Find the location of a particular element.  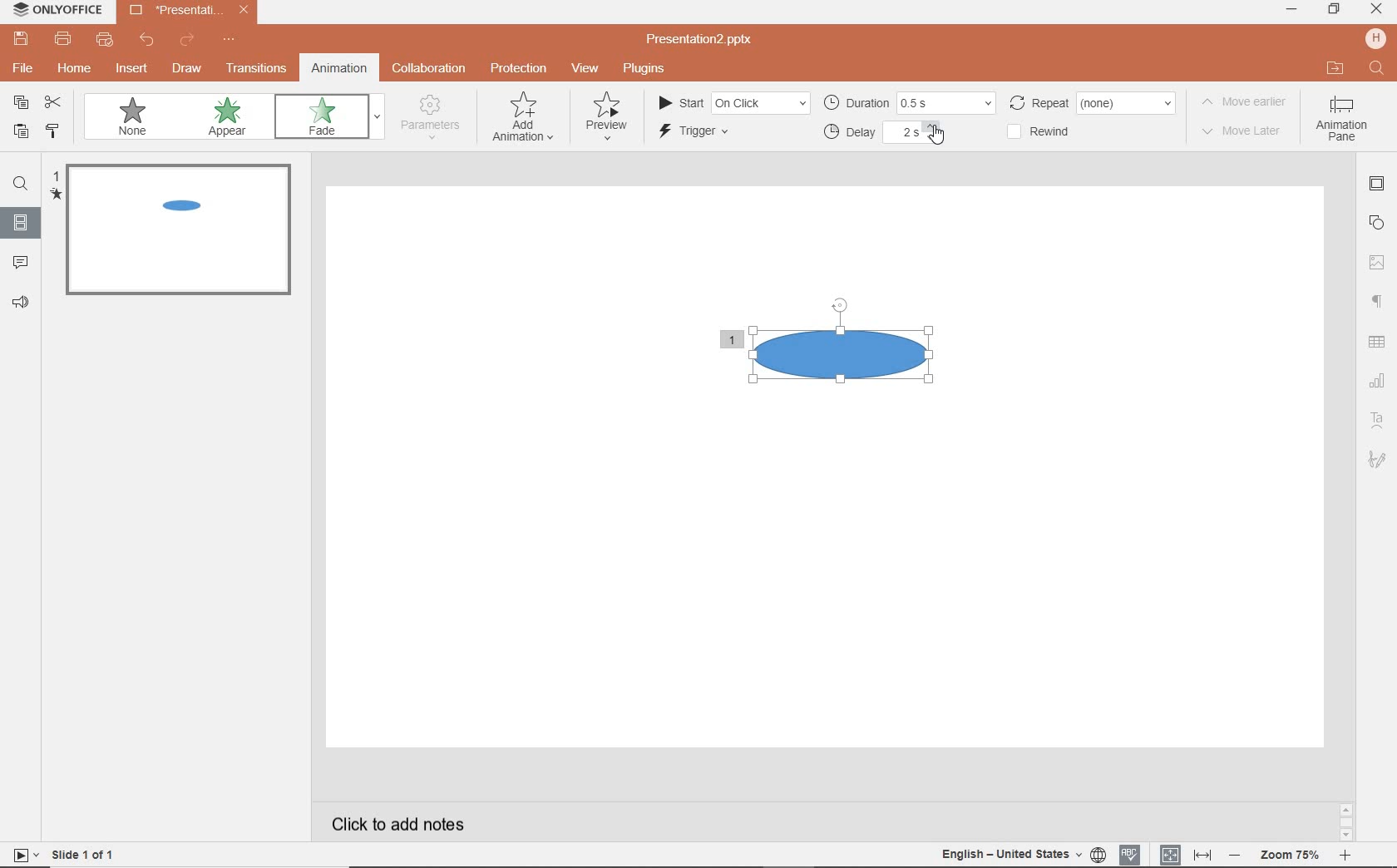

draw is located at coordinates (186, 70).